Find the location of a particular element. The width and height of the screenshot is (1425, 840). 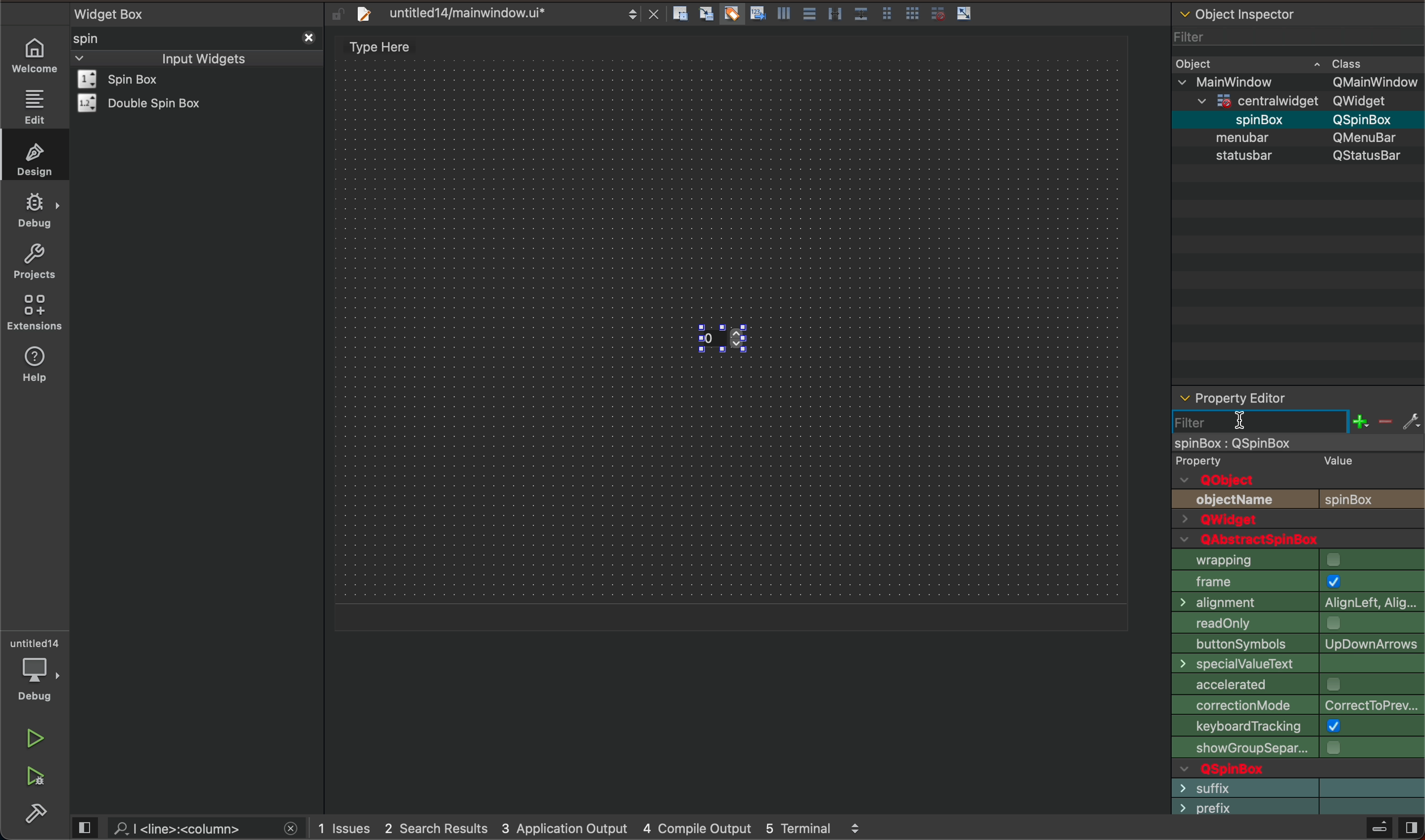

widget box is located at coordinates (200, 12).